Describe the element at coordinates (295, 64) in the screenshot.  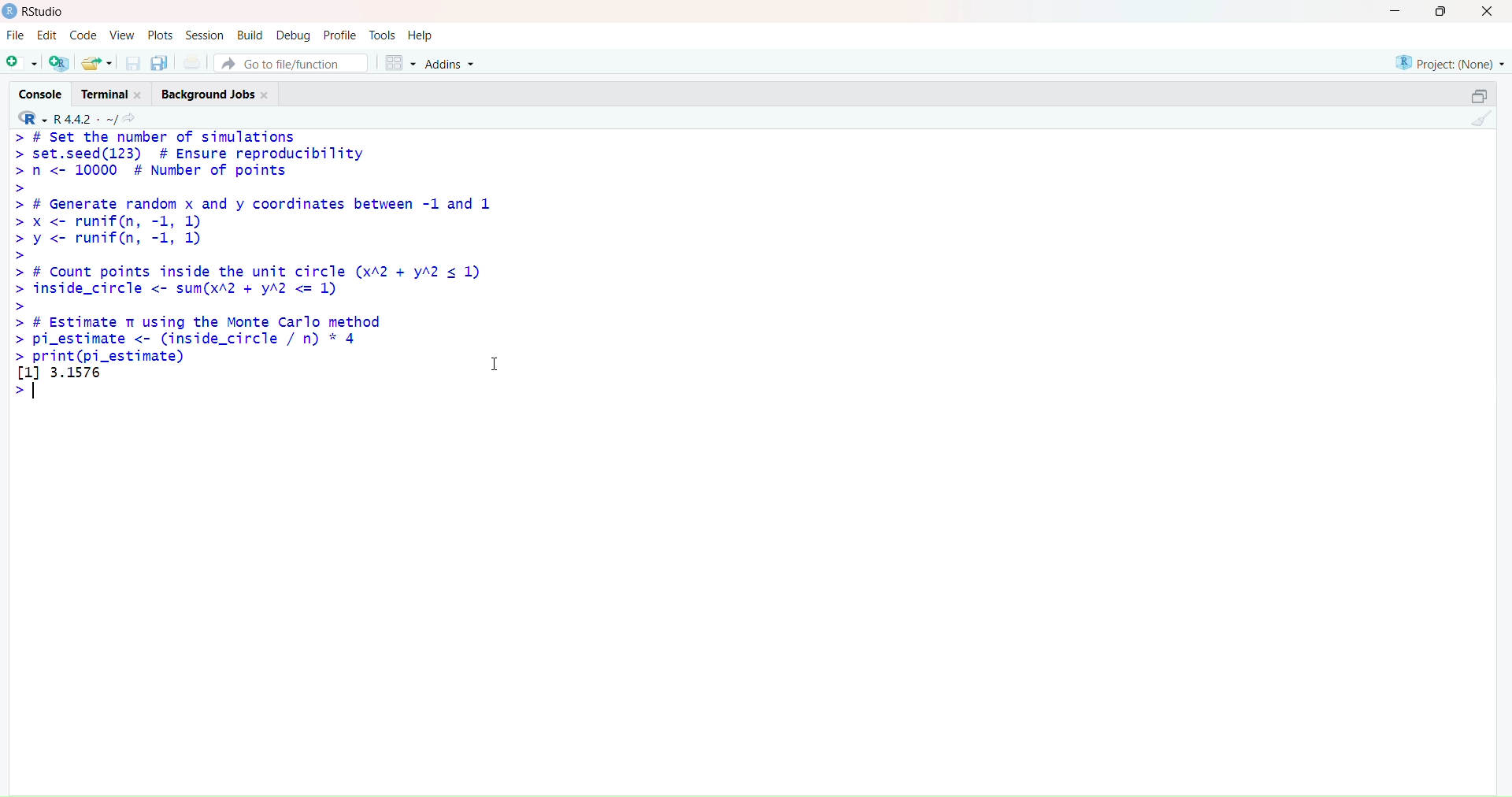
I see `Go to file/function` at that location.